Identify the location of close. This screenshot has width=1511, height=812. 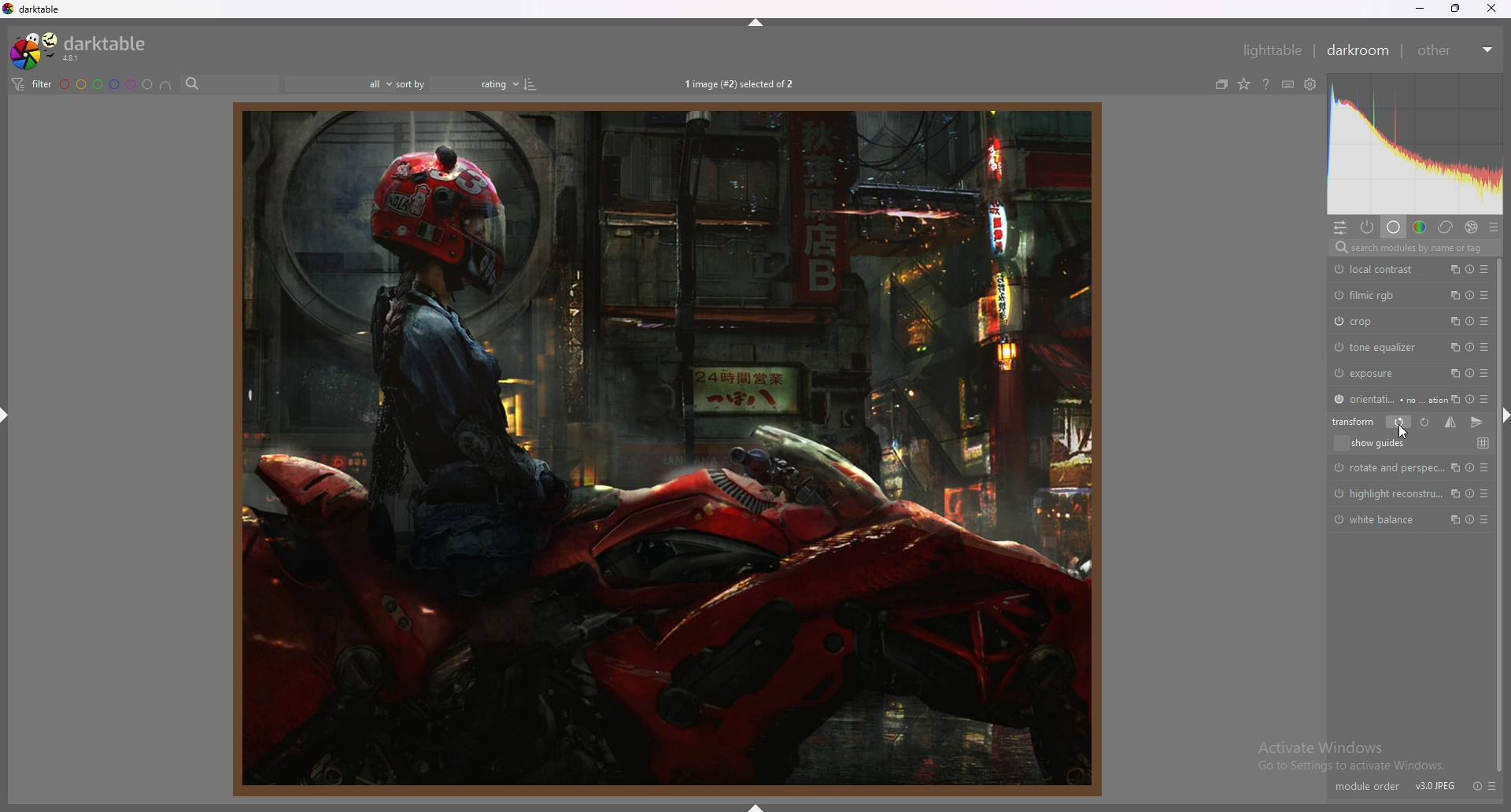
(1491, 9).